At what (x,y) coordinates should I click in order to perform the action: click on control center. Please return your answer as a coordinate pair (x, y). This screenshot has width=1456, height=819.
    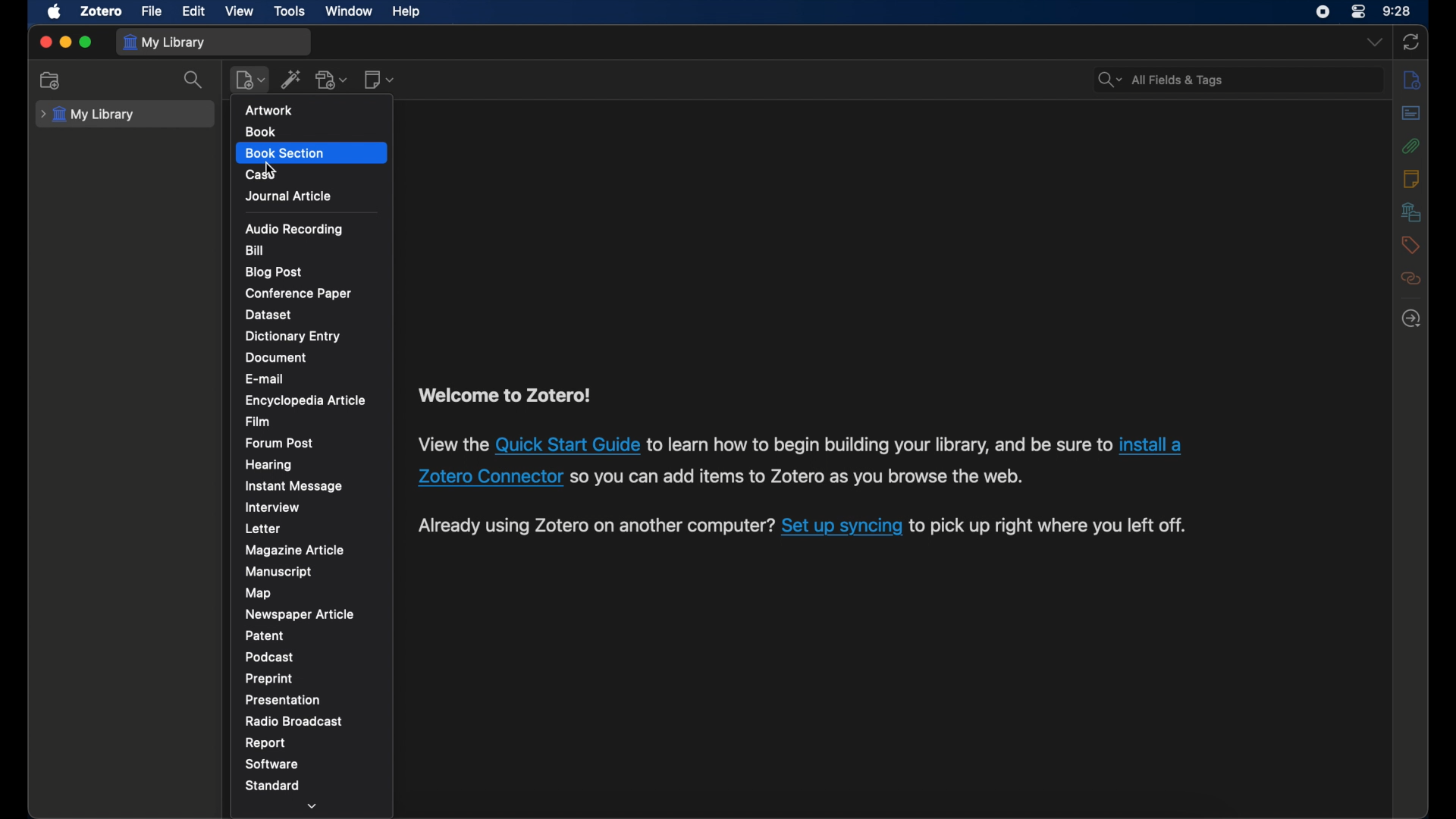
    Looking at the image, I should click on (1357, 12).